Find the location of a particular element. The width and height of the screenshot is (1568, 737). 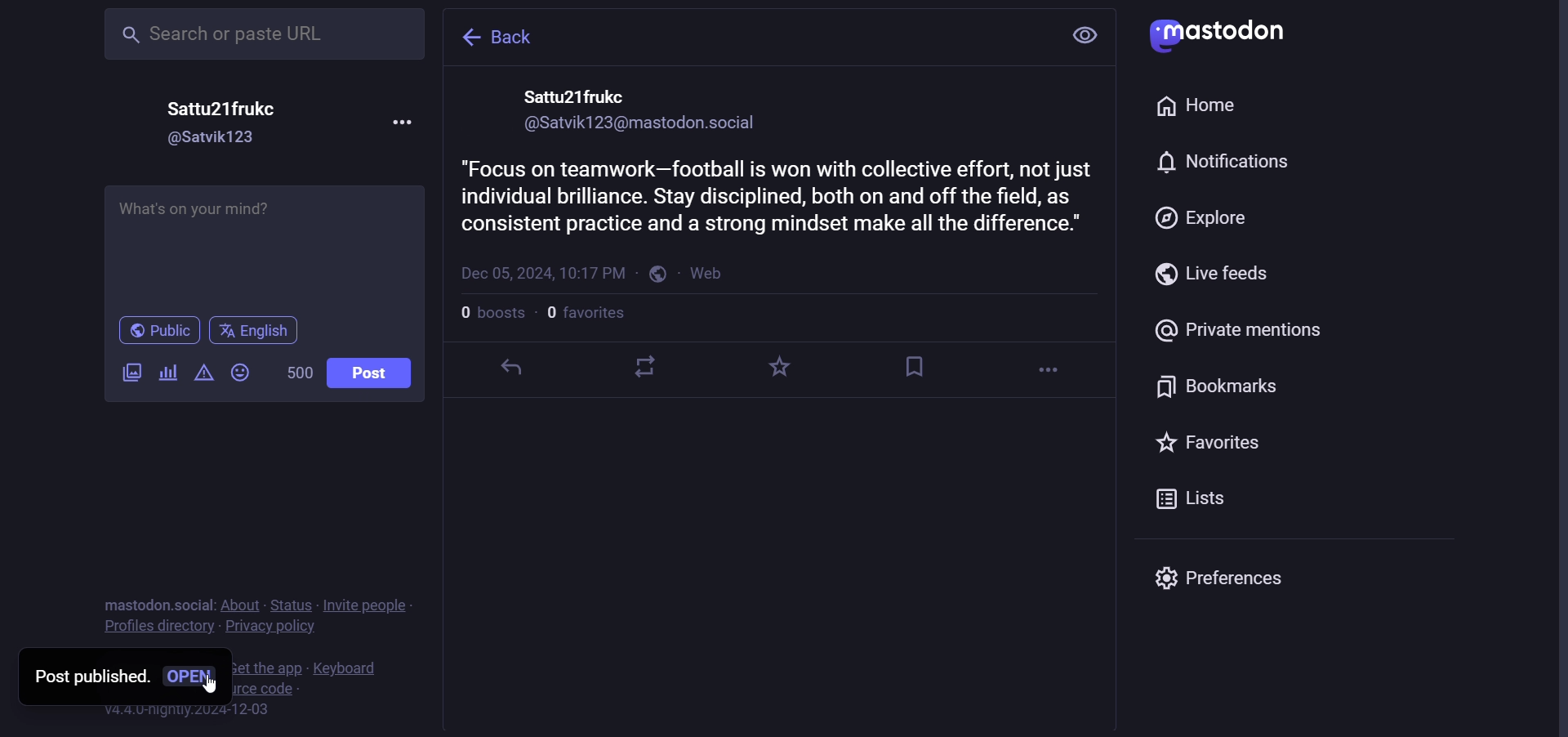

home is located at coordinates (1194, 106).